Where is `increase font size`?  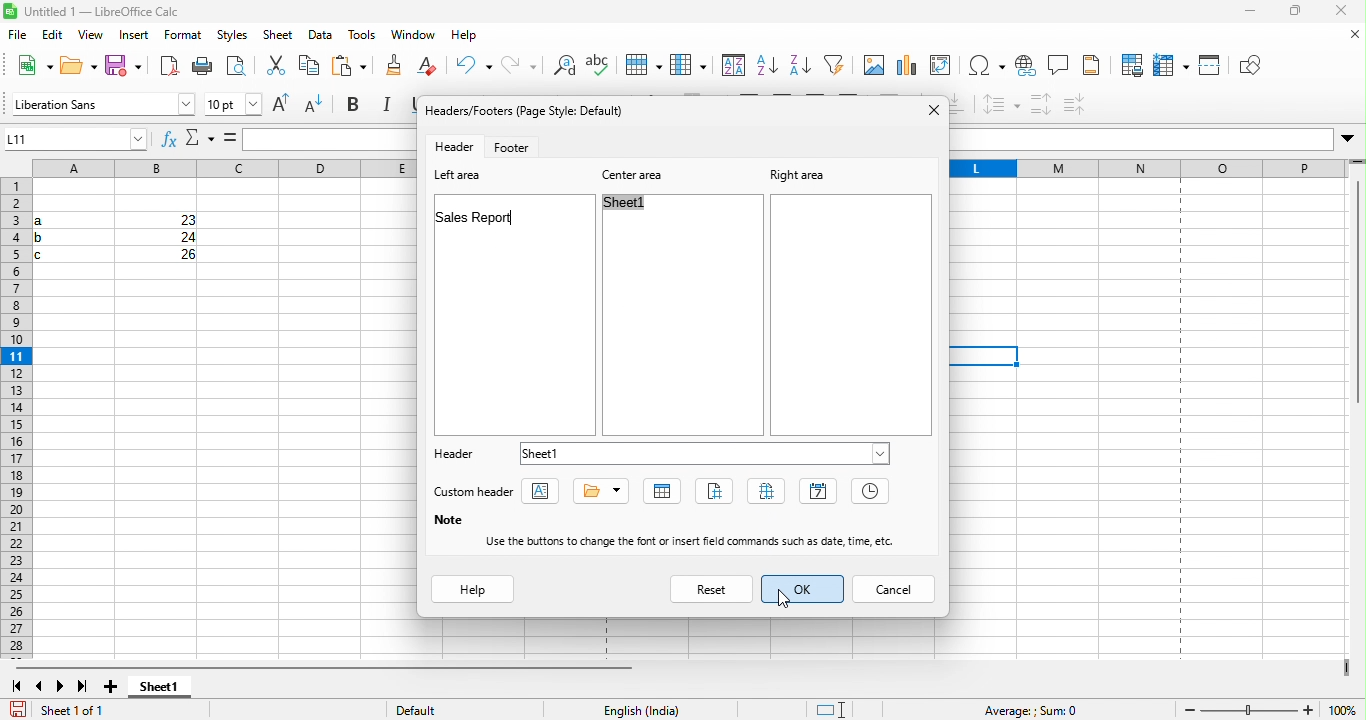 increase font size is located at coordinates (286, 107).